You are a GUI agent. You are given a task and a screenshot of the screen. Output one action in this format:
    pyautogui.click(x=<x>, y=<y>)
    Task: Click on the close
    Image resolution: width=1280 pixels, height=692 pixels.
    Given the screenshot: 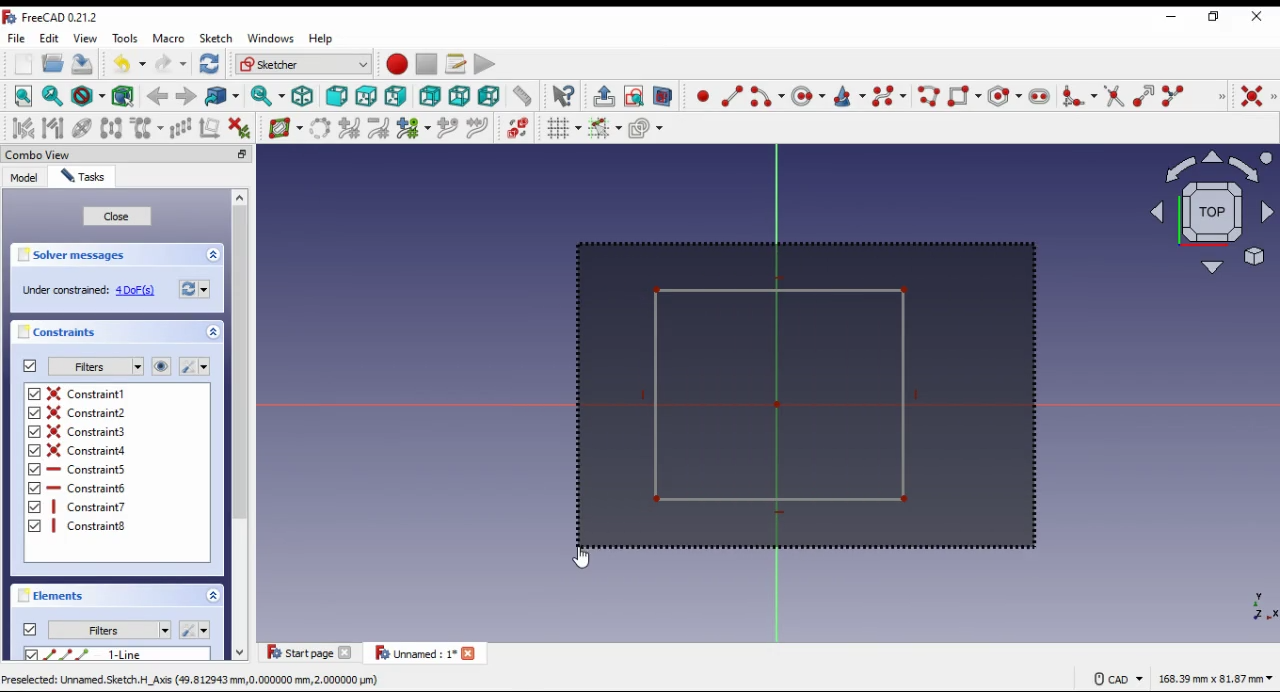 What is the action you would take?
    pyautogui.click(x=117, y=217)
    